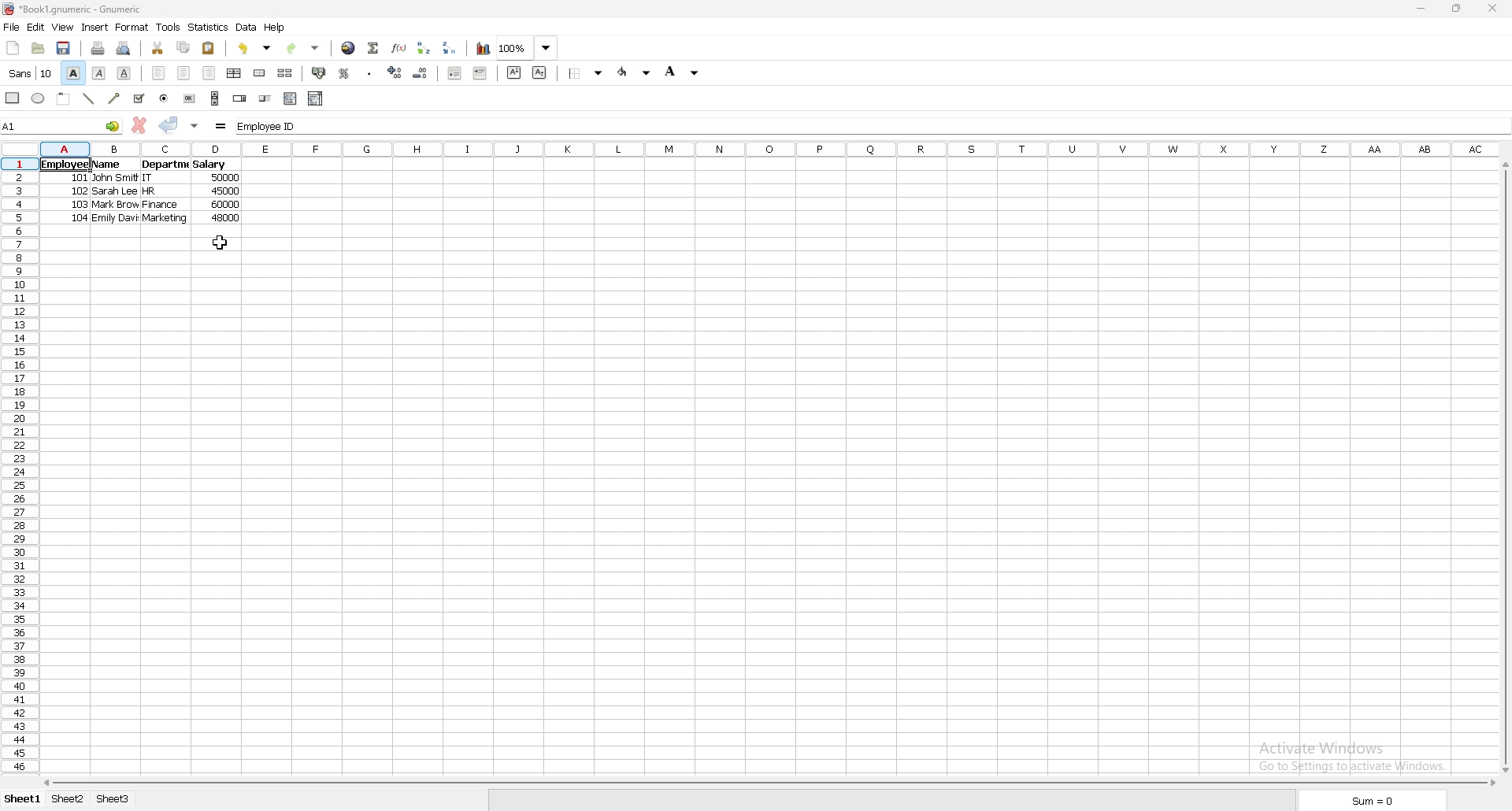  I want to click on accounting, so click(320, 72).